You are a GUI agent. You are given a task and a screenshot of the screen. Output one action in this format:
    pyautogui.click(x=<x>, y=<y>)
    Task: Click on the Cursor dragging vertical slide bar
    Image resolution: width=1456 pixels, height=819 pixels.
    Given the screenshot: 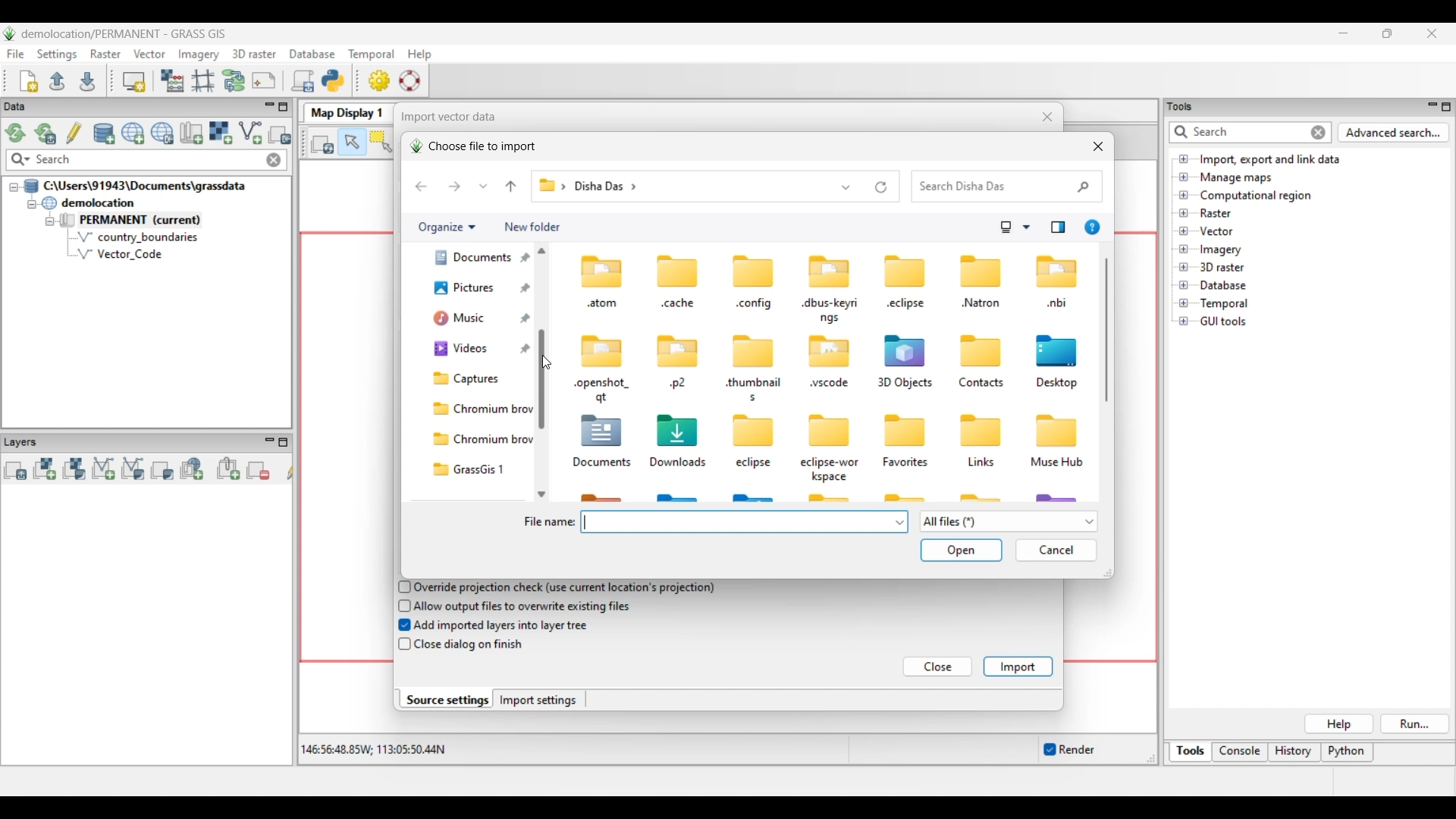 What is the action you would take?
    pyautogui.click(x=546, y=362)
    